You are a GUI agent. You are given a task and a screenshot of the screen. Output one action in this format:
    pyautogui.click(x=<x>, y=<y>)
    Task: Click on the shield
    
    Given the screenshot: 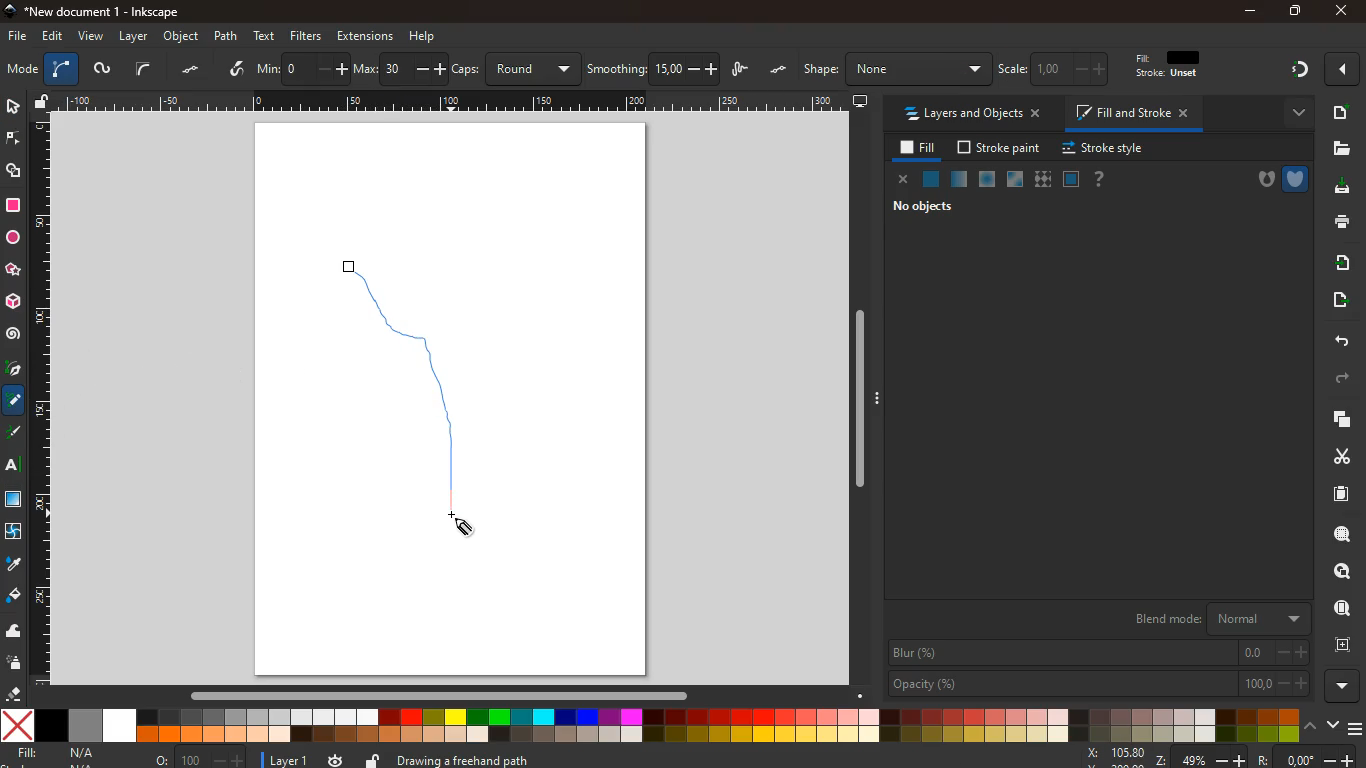 What is the action you would take?
    pyautogui.click(x=1298, y=177)
    